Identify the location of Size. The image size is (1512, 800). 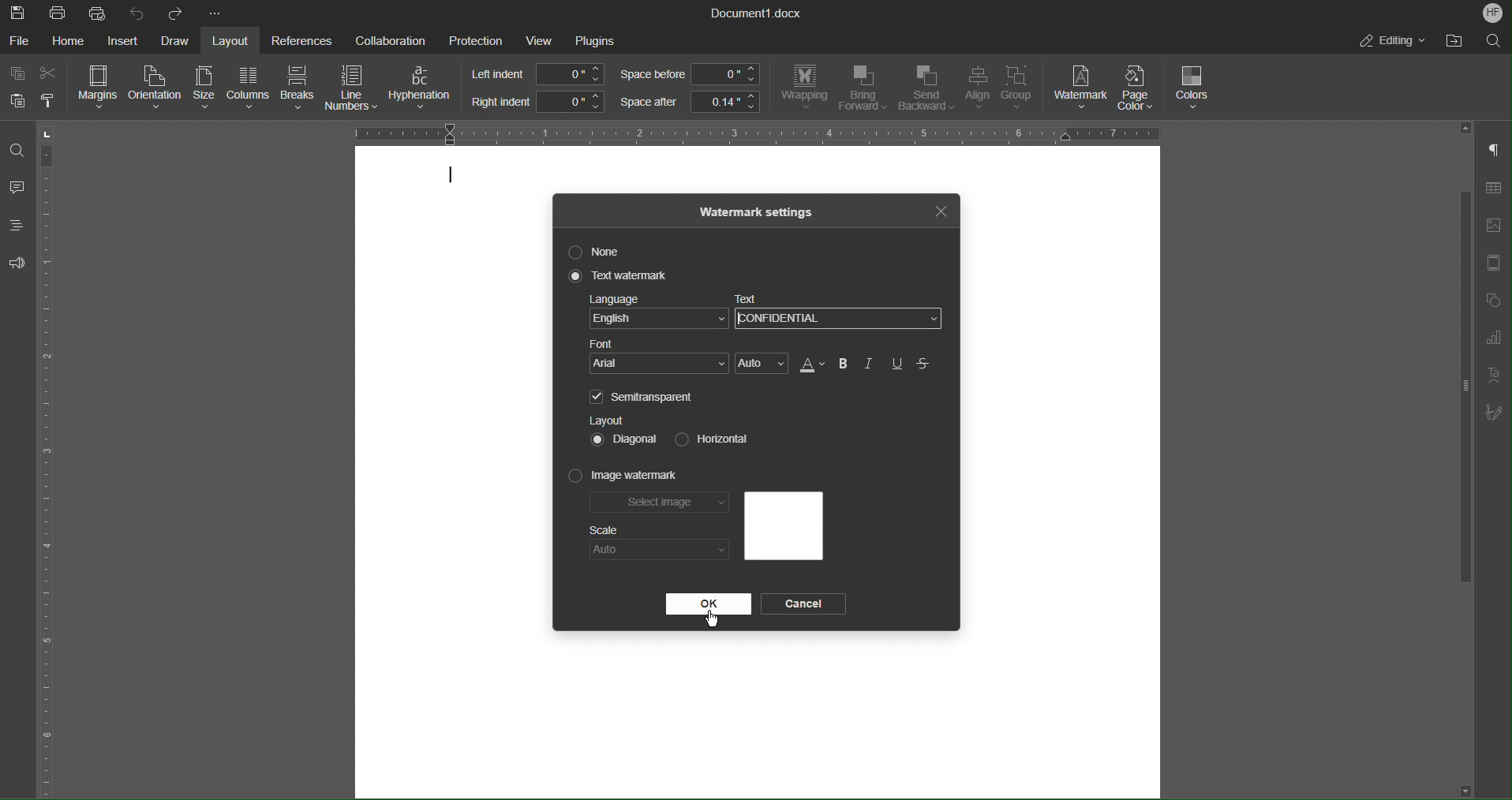
(202, 88).